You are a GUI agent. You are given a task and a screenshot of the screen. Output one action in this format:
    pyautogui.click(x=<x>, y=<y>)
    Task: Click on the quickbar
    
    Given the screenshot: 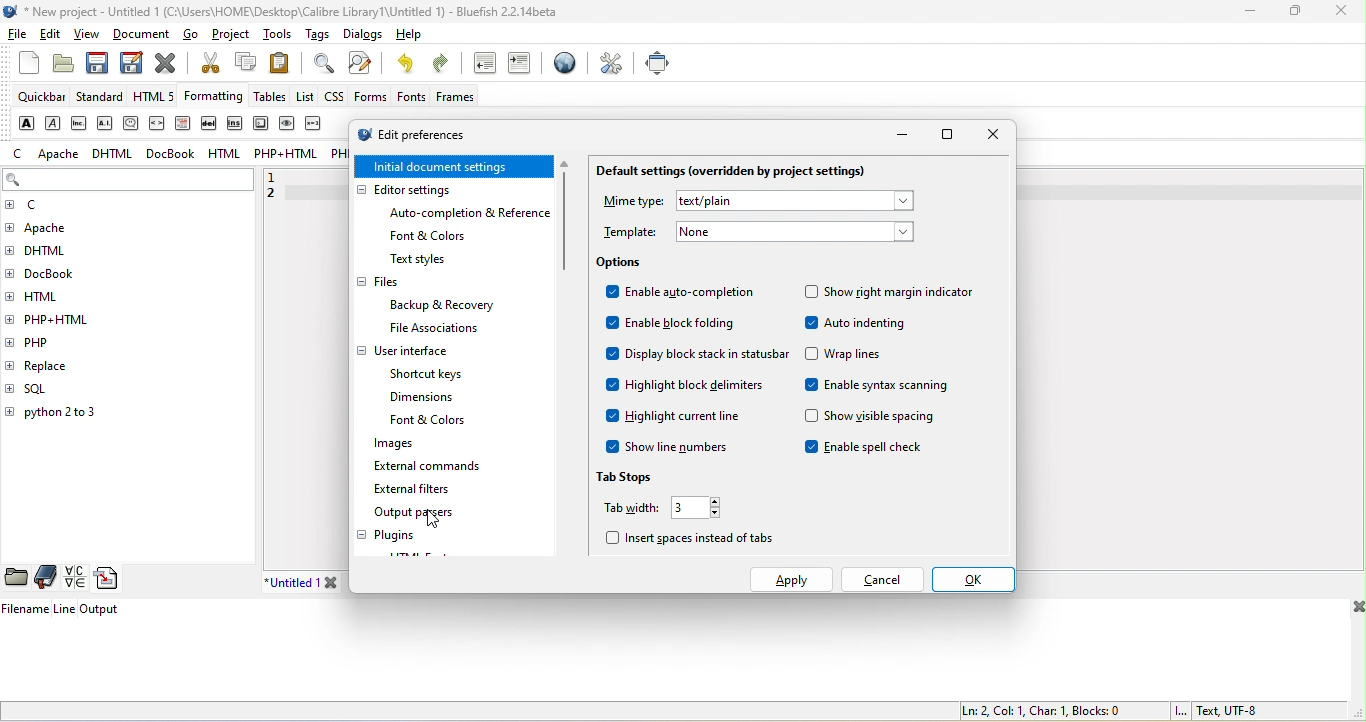 What is the action you would take?
    pyautogui.click(x=41, y=98)
    